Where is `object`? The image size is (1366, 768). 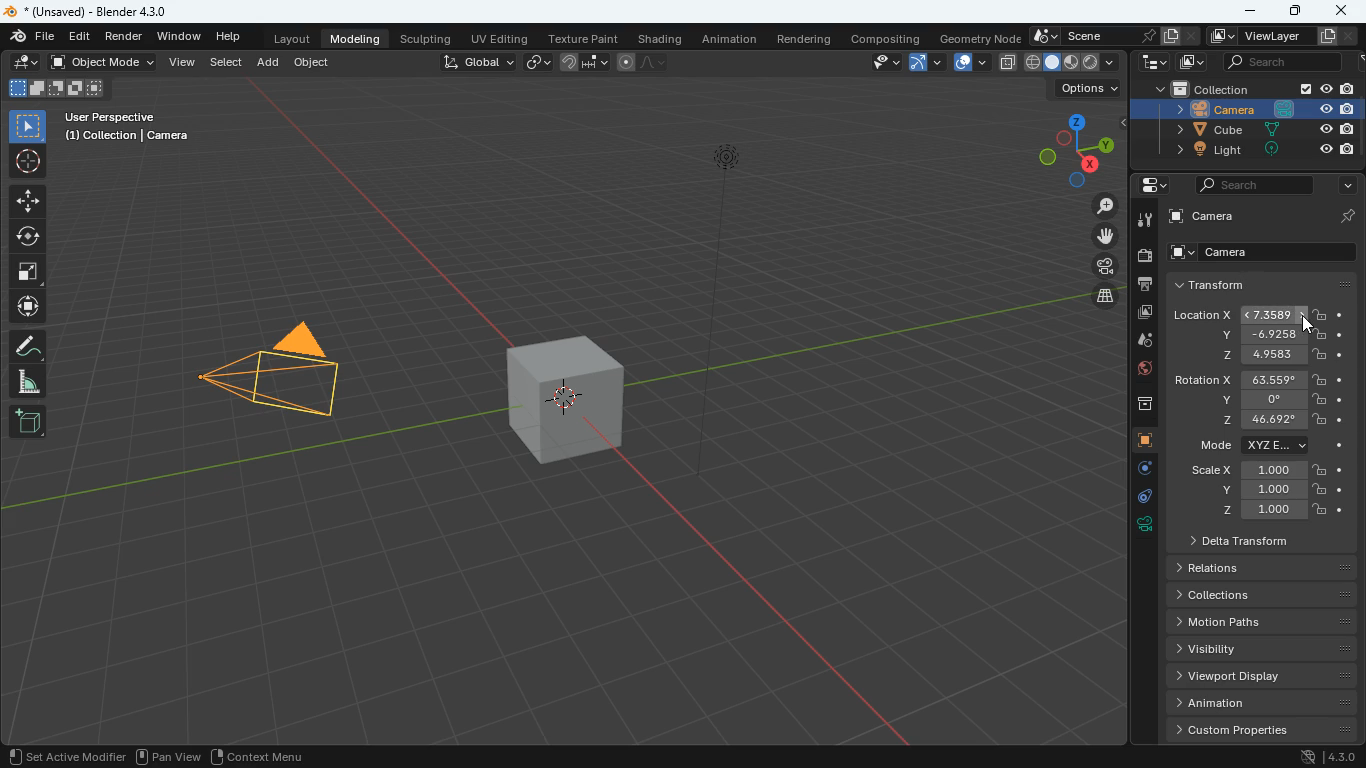
object is located at coordinates (310, 64).